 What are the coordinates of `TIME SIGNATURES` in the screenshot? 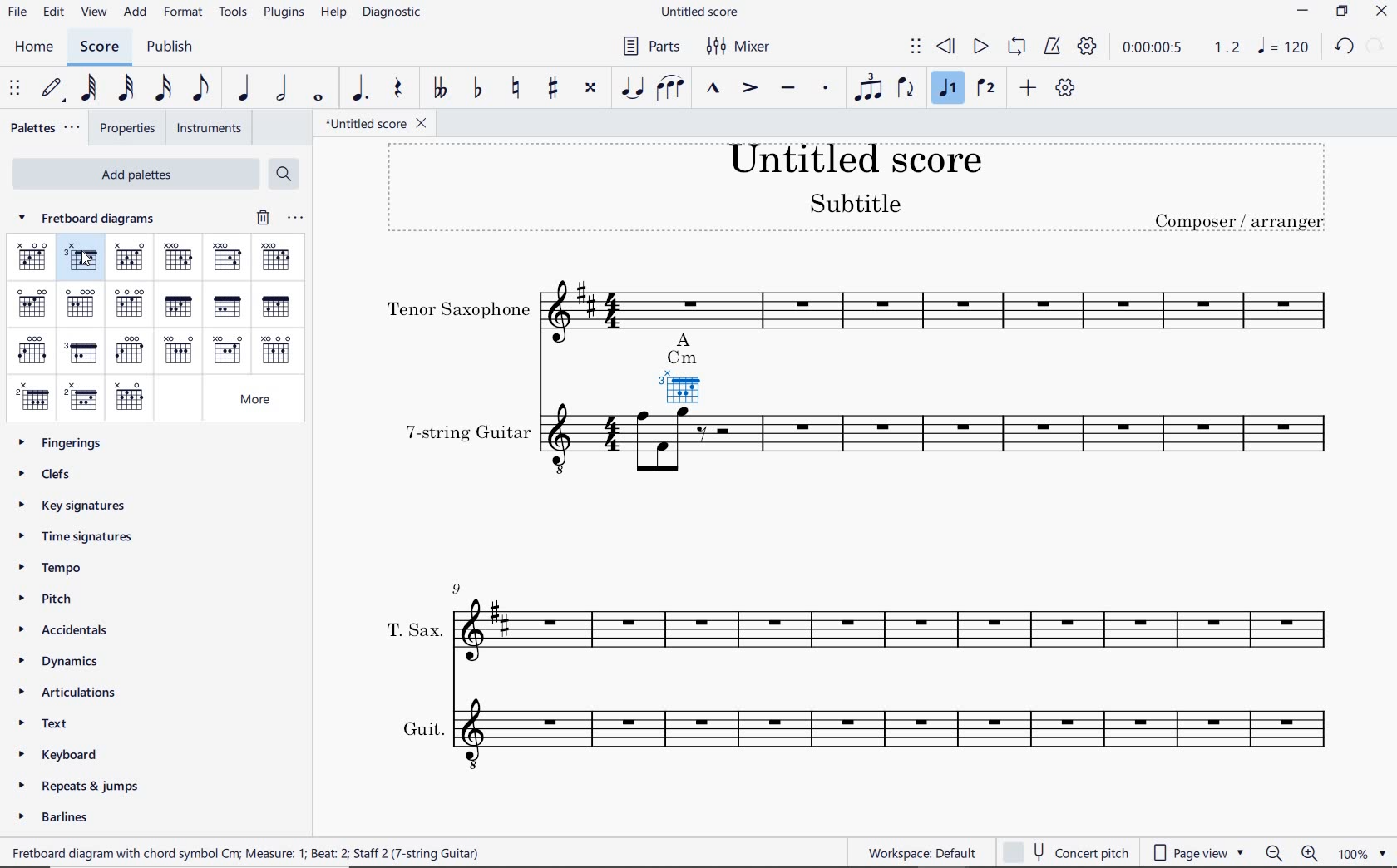 It's located at (90, 540).